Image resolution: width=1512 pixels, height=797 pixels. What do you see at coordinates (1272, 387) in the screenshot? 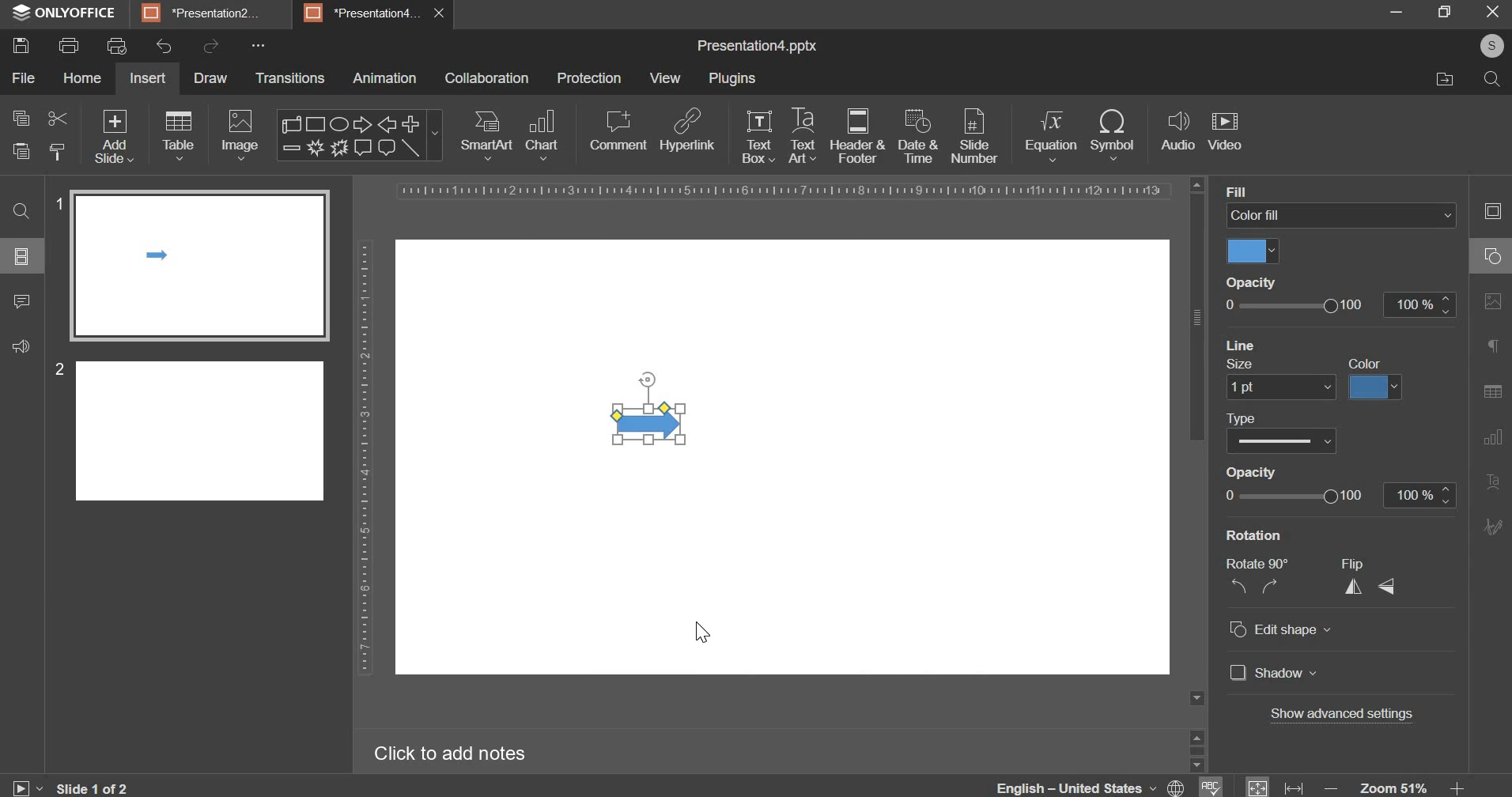
I see `` at bounding box center [1272, 387].